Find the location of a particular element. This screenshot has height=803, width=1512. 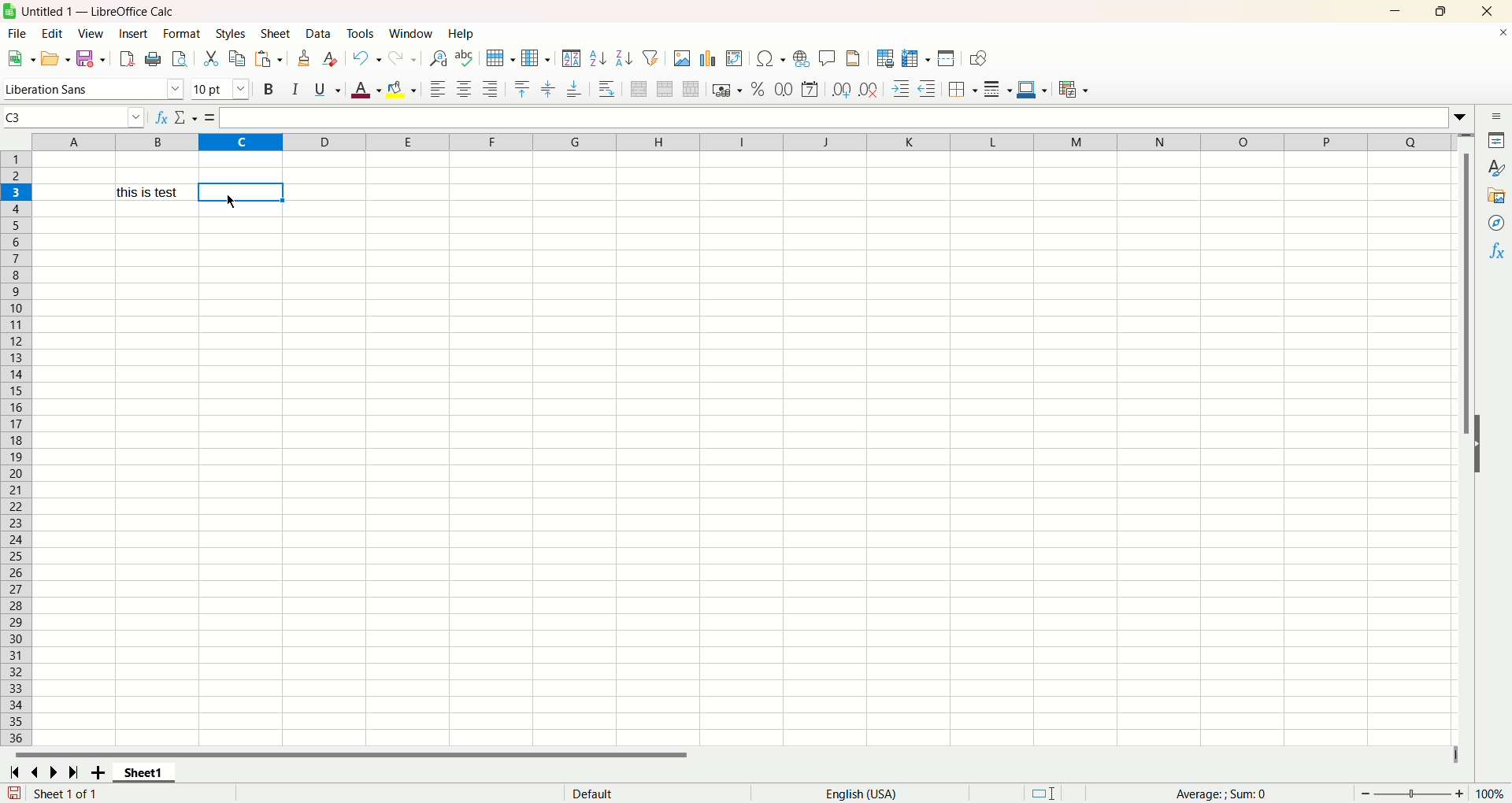

name box is located at coordinates (74, 117).